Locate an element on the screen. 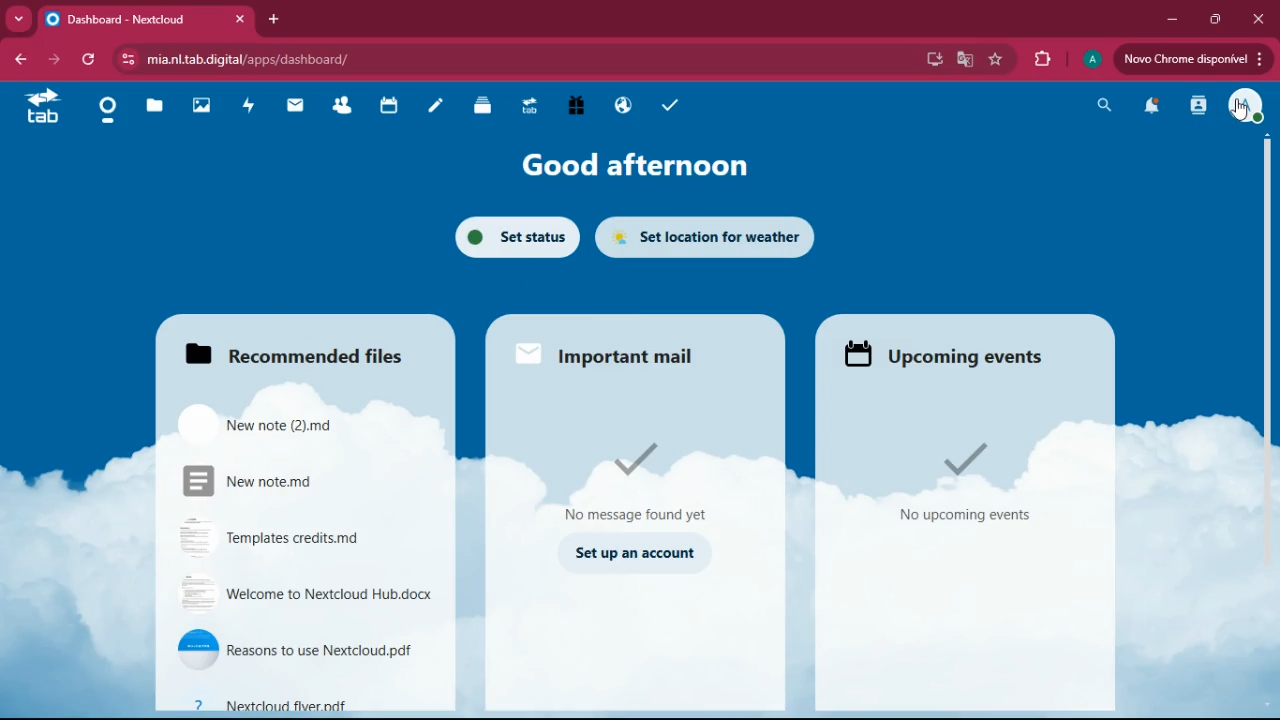 This screenshot has height=720, width=1280. search is located at coordinates (1105, 103).